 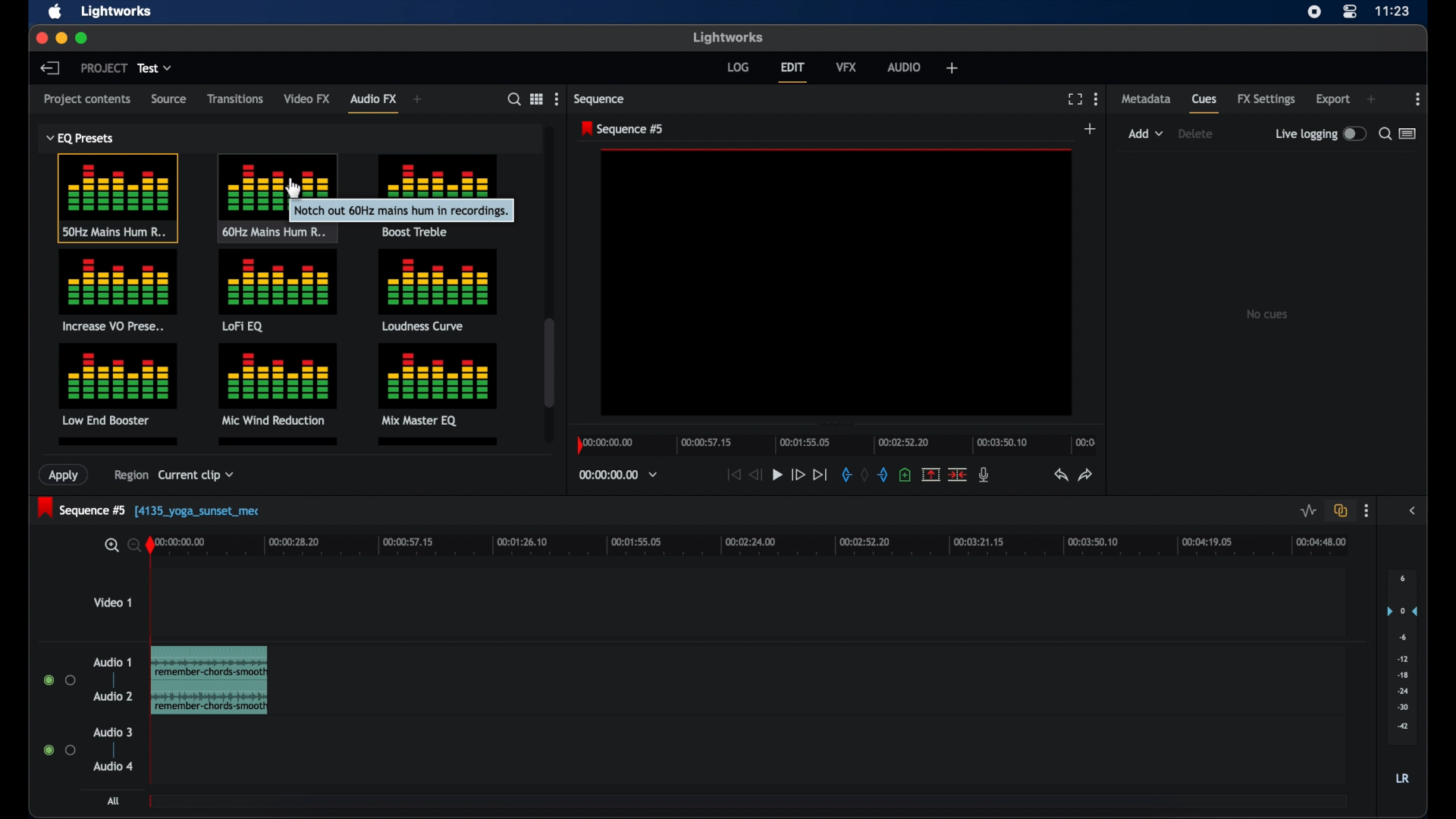 What do you see at coordinates (846, 67) in the screenshot?
I see `vfx` at bounding box center [846, 67].